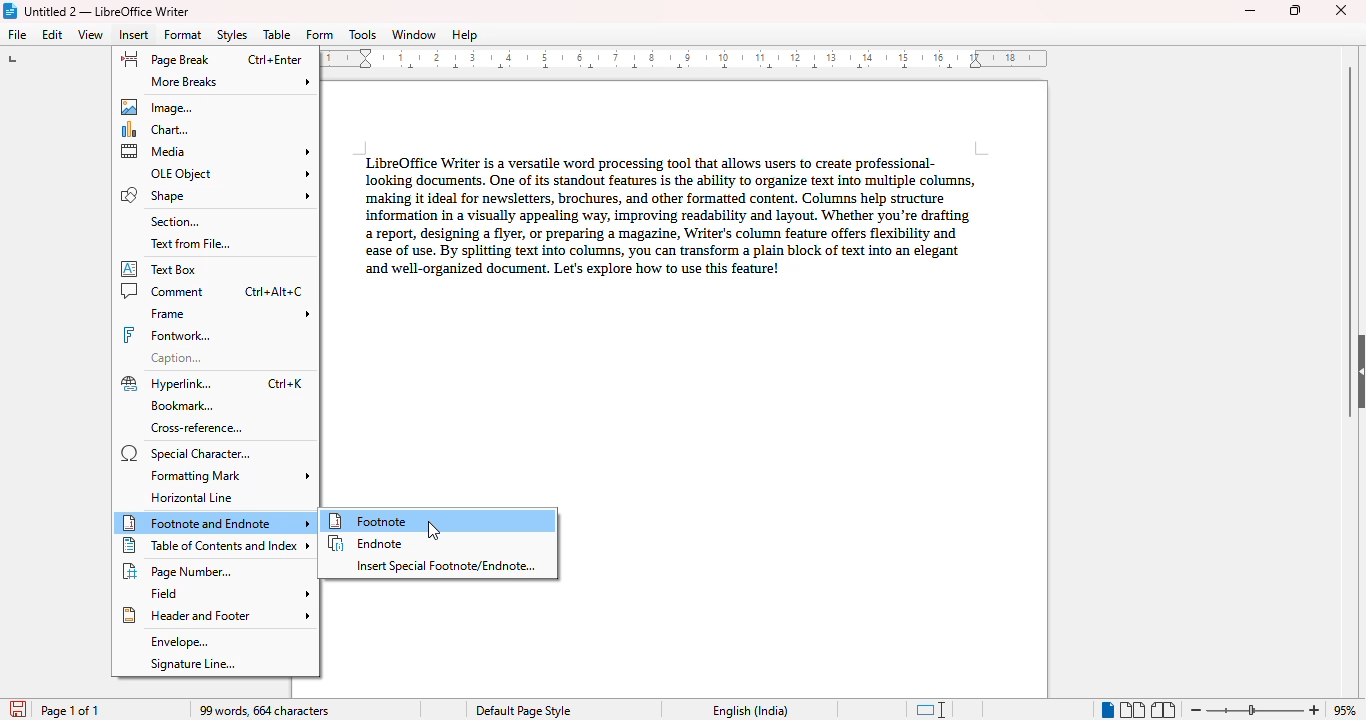 The width and height of the screenshot is (1366, 720). What do you see at coordinates (931, 709) in the screenshot?
I see `standard selection` at bounding box center [931, 709].